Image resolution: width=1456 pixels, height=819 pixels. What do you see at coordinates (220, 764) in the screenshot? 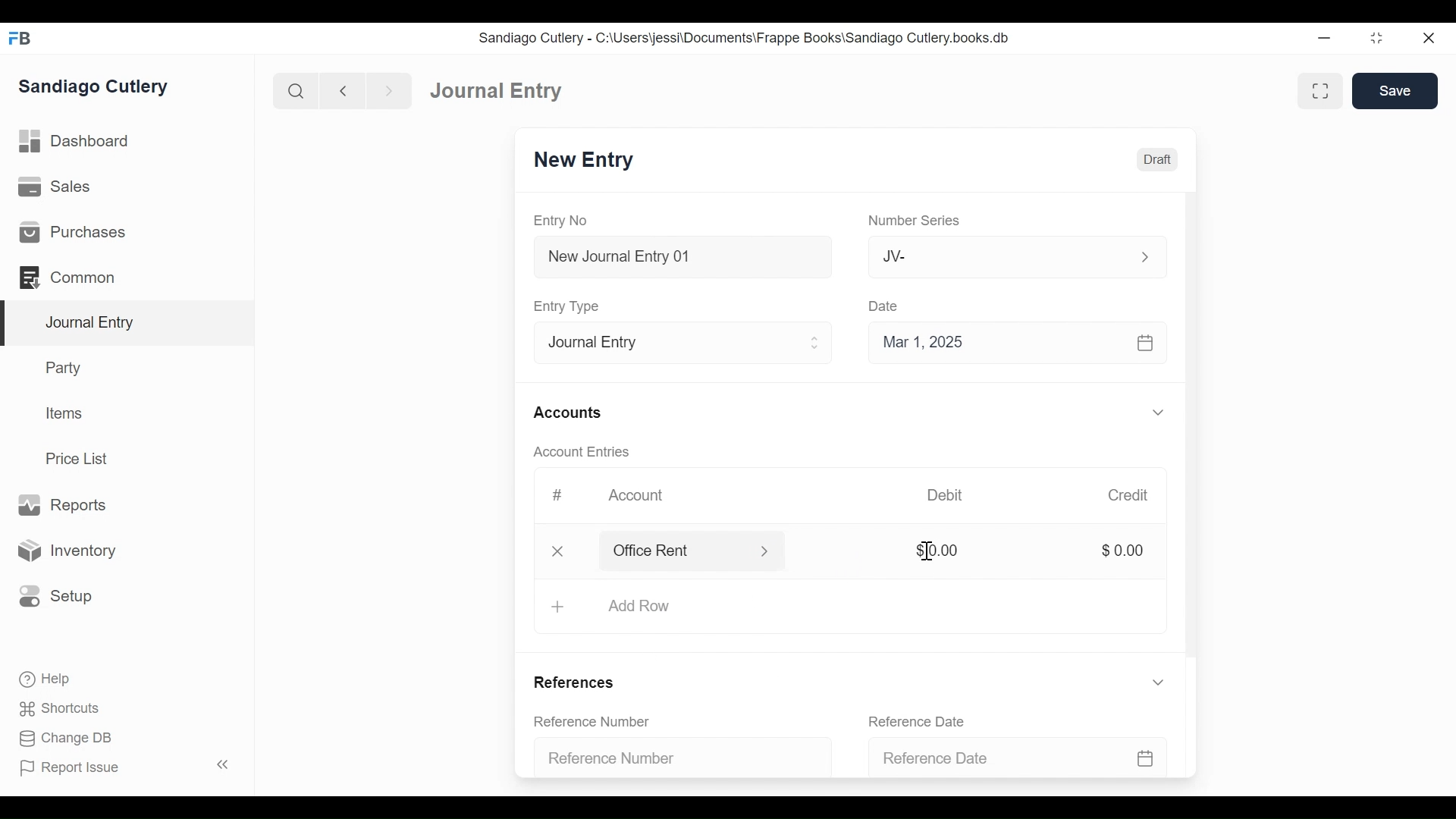
I see `collapse sidebar` at bounding box center [220, 764].